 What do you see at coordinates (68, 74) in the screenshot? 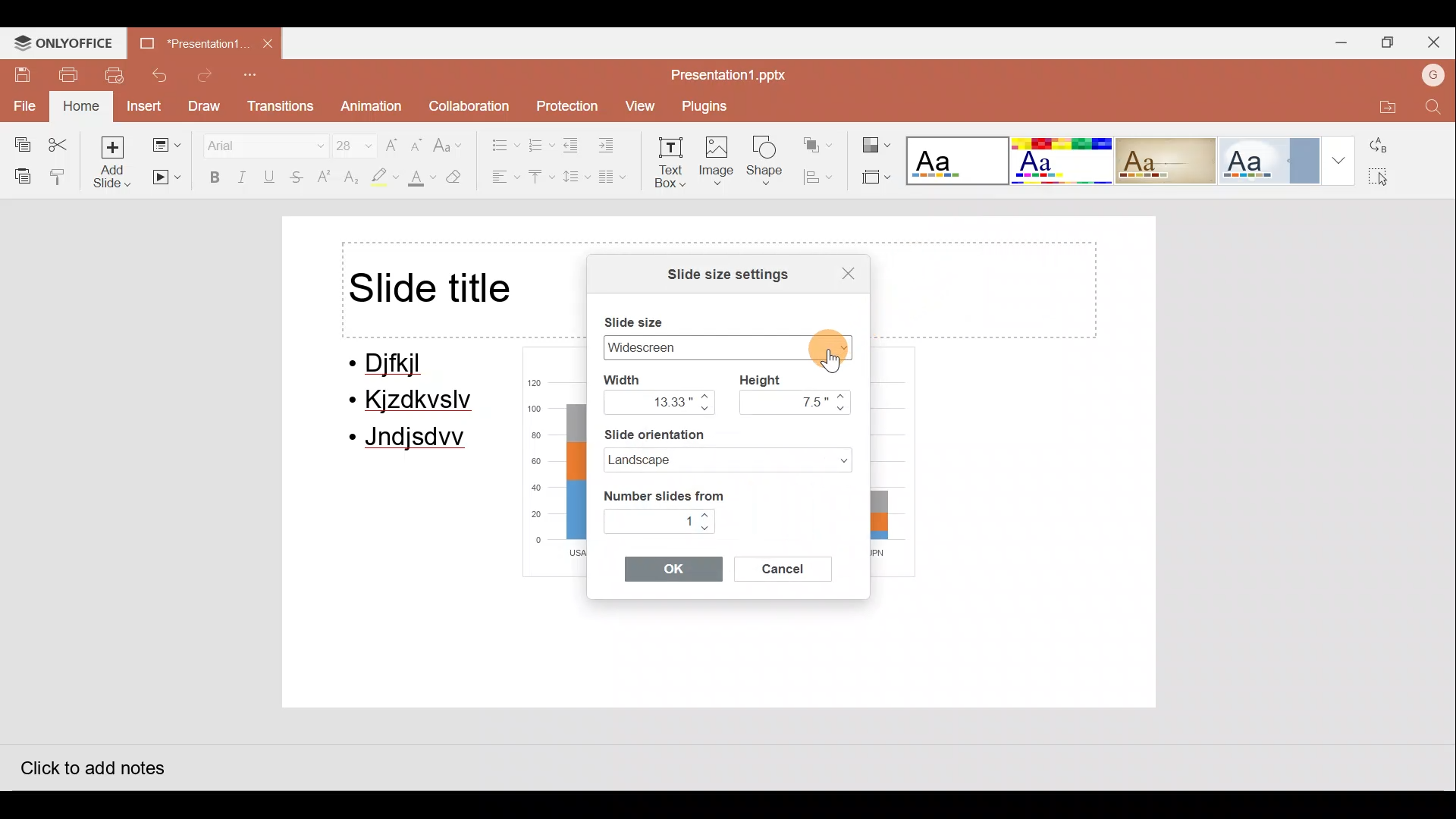
I see `Print file` at bounding box center [68, 74].